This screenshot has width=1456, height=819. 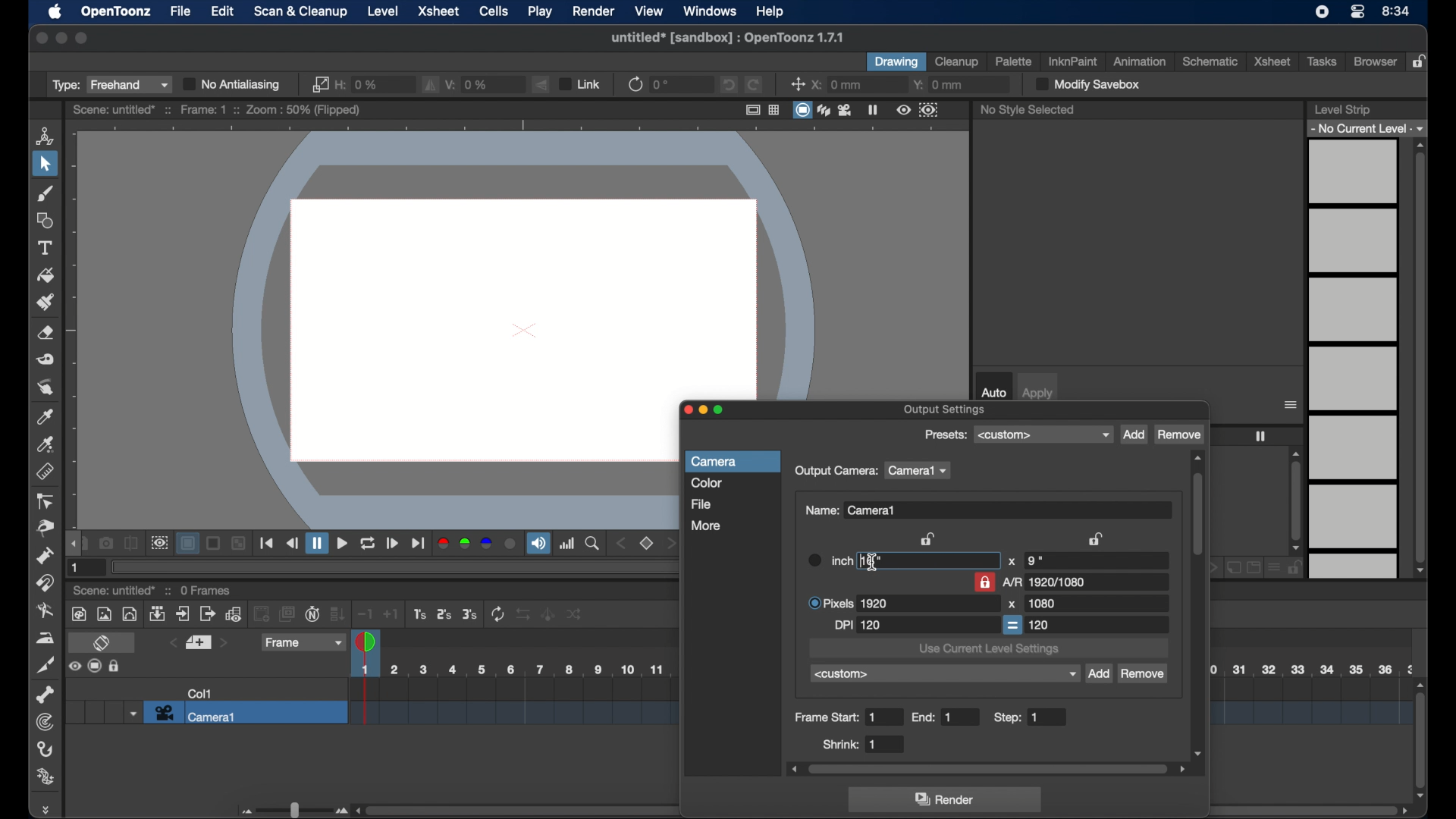 What do you see at coordinates (514, 810) in the screenshot?
I see `scroll bar` at bounding box center [514, 810].